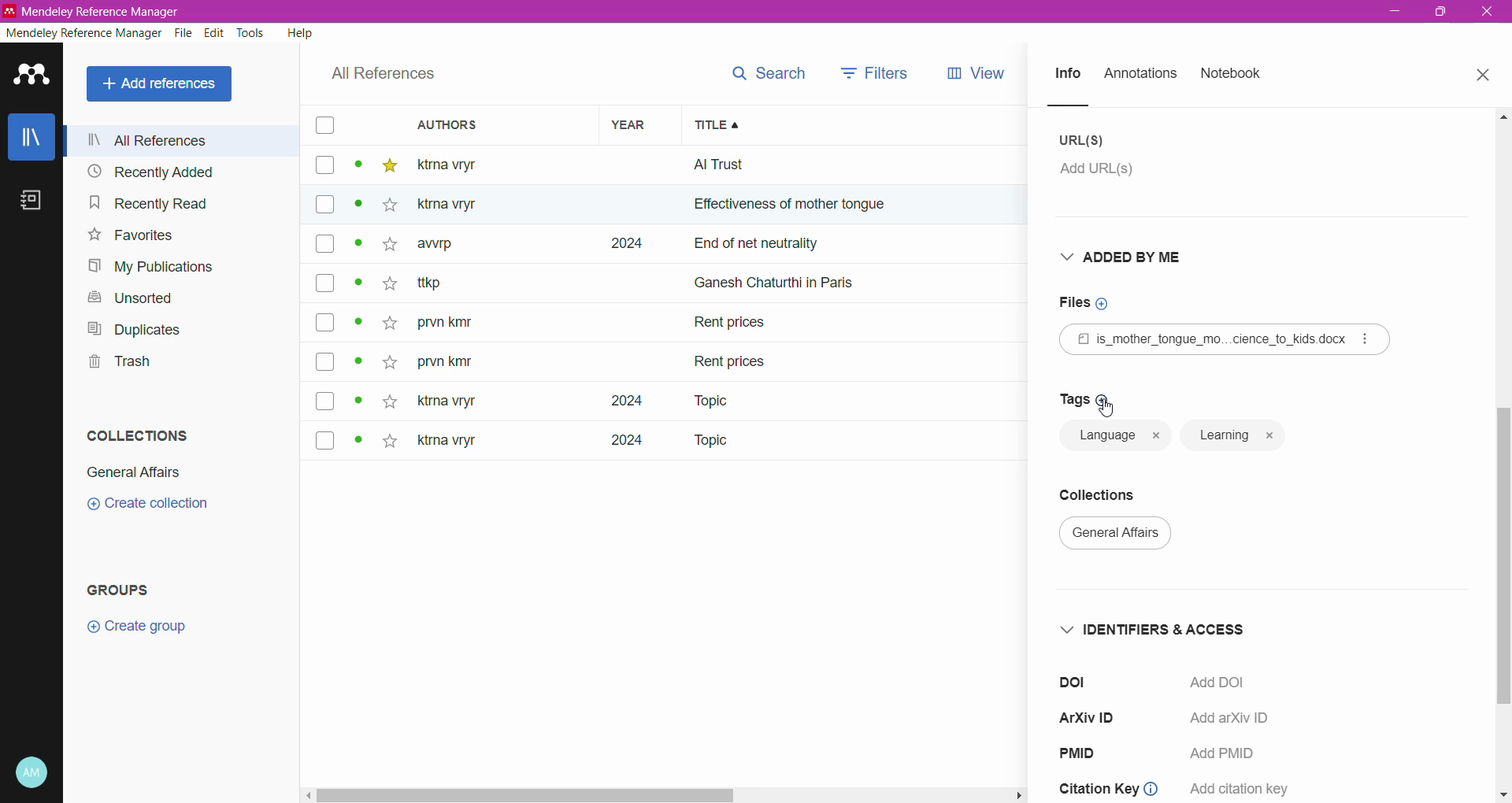 The image size is (1512, 803). I want to click on Recently Read, so click(166, 202).